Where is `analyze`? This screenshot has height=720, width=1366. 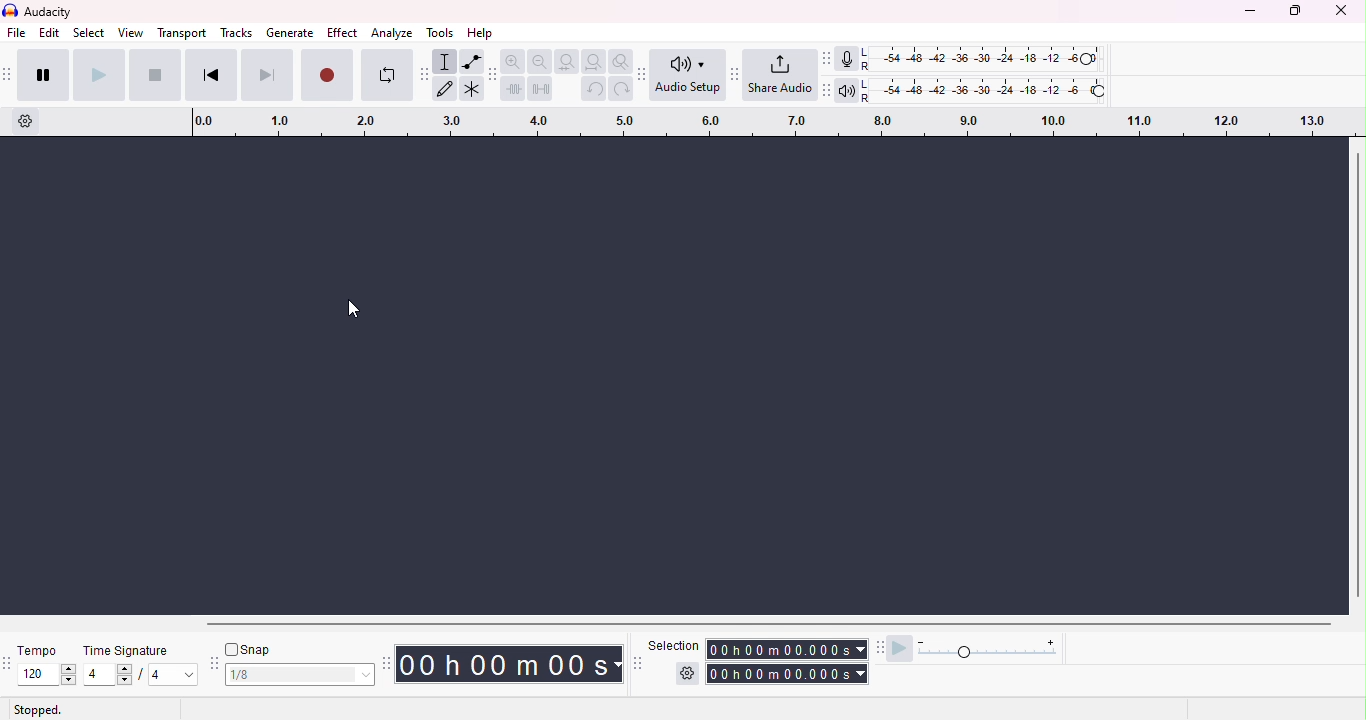
analyze is located at coordinates (390, 32).